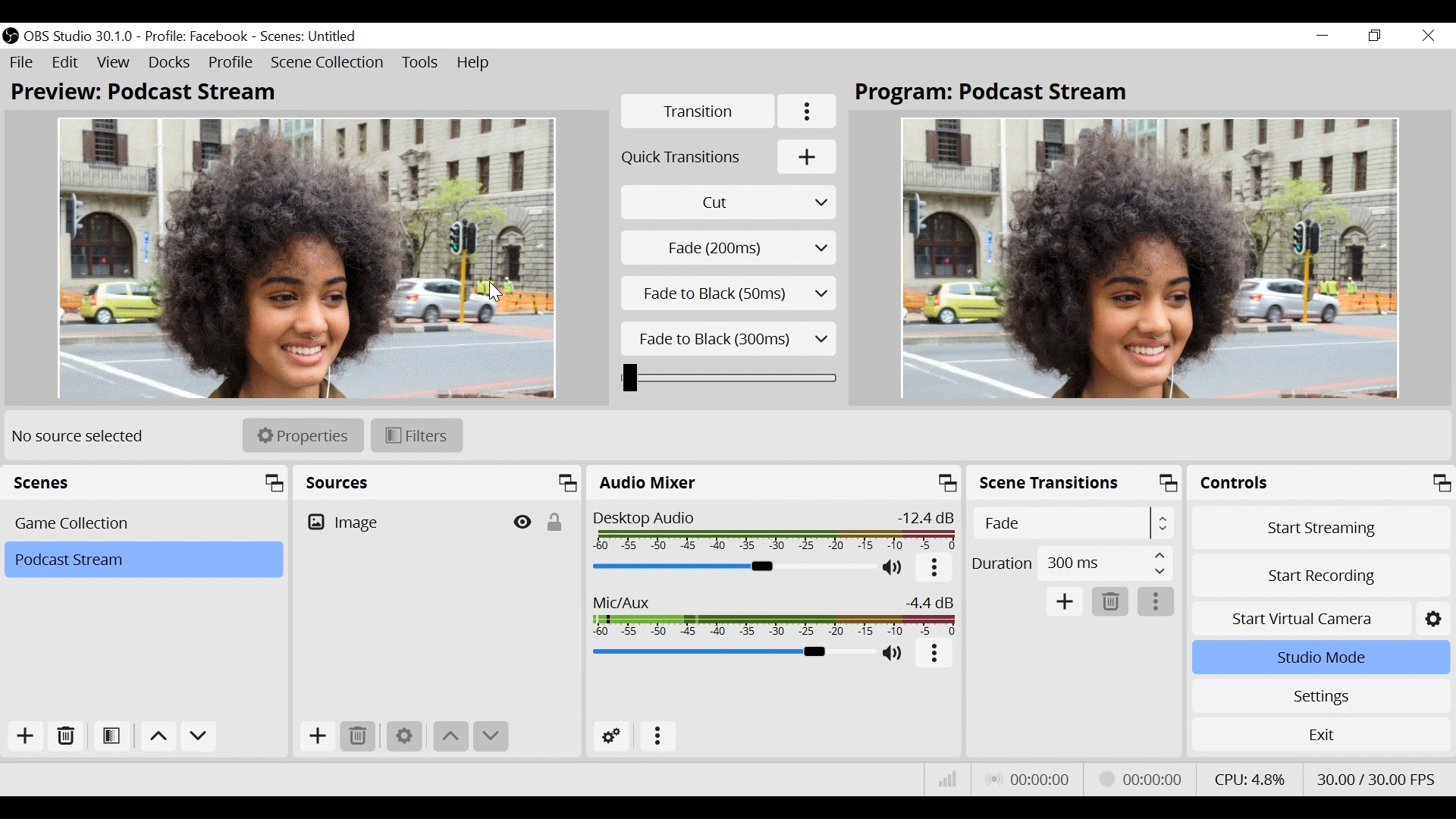 The width and height of the screenshot is (1456, 819). I want to click on Exit, so click(1321, 733).